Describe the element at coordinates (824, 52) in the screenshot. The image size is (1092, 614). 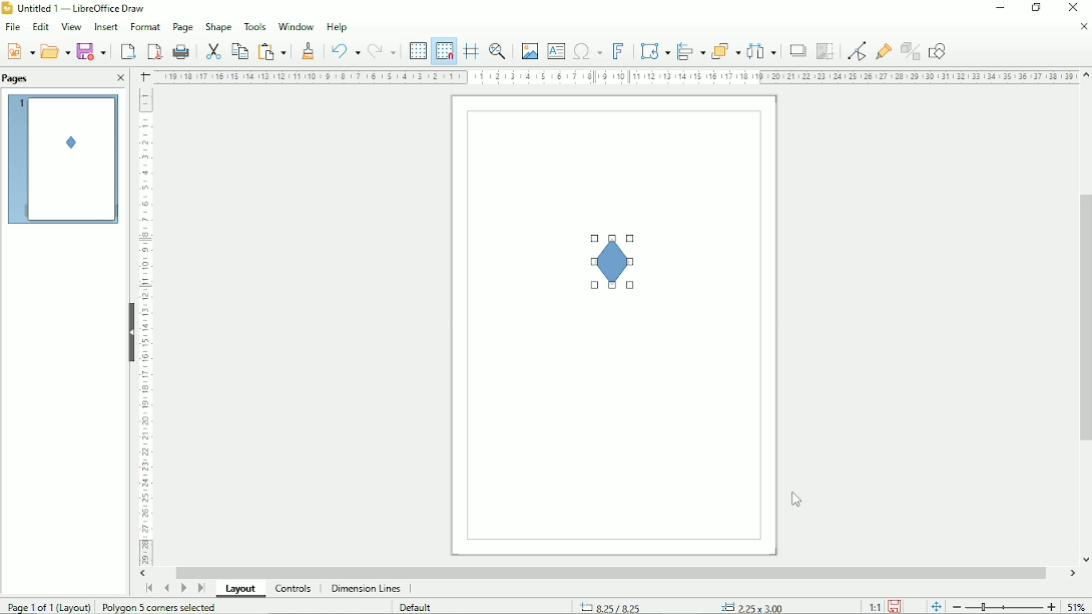
I see `Crop image` at that location.